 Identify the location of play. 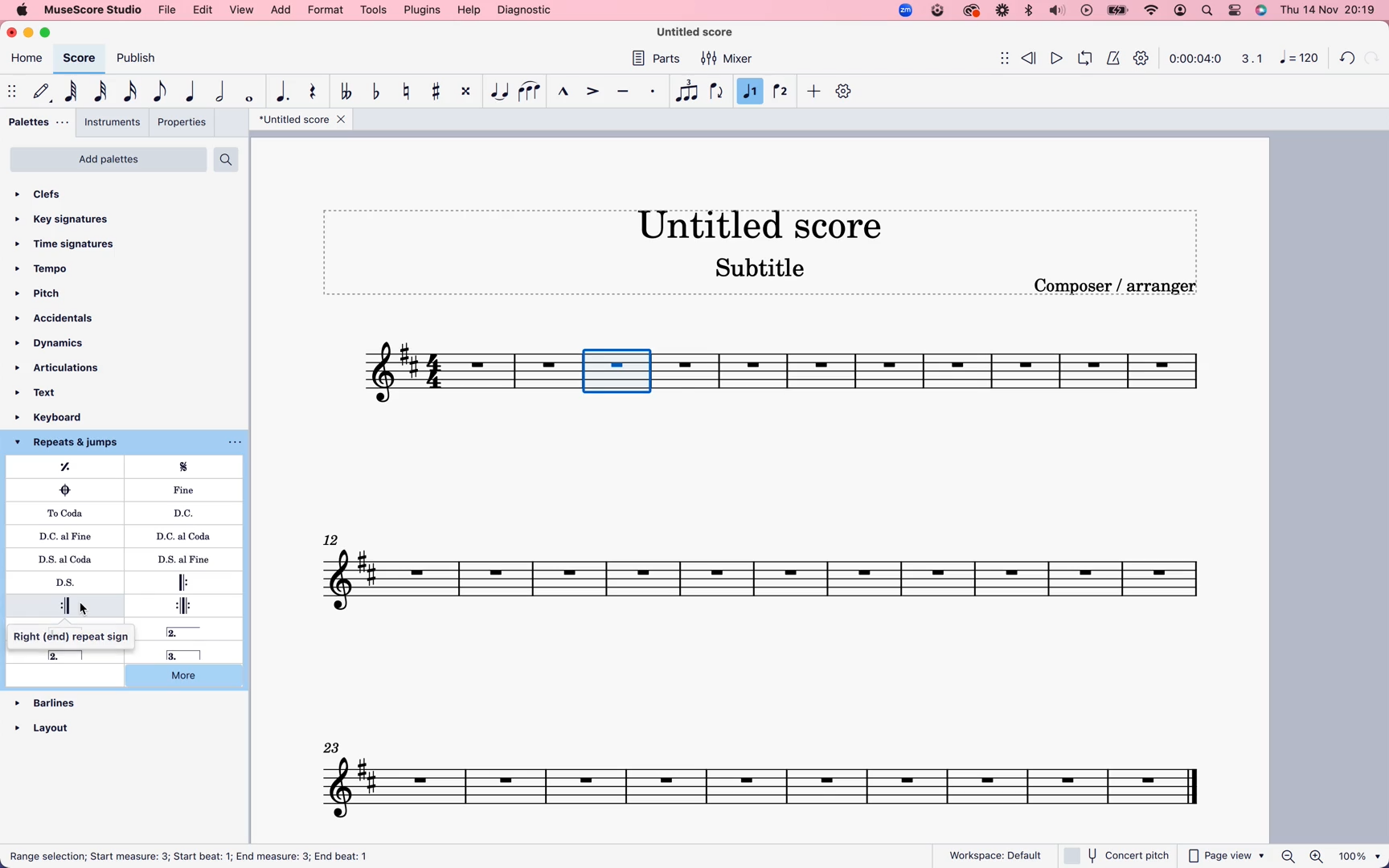
(1086, 11).